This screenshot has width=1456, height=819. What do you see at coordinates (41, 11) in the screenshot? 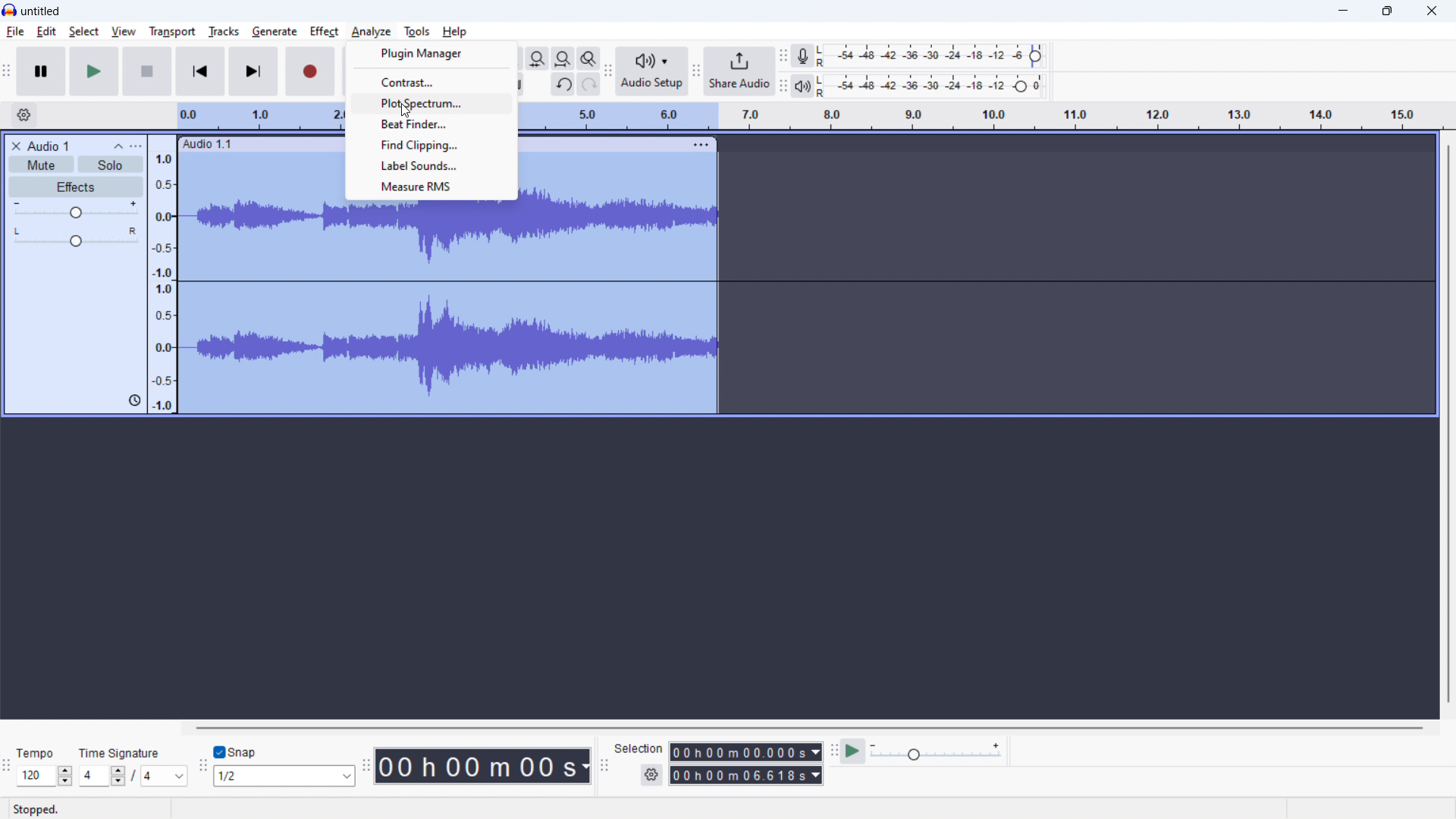
I see `title` at bounding box center [41, 11].